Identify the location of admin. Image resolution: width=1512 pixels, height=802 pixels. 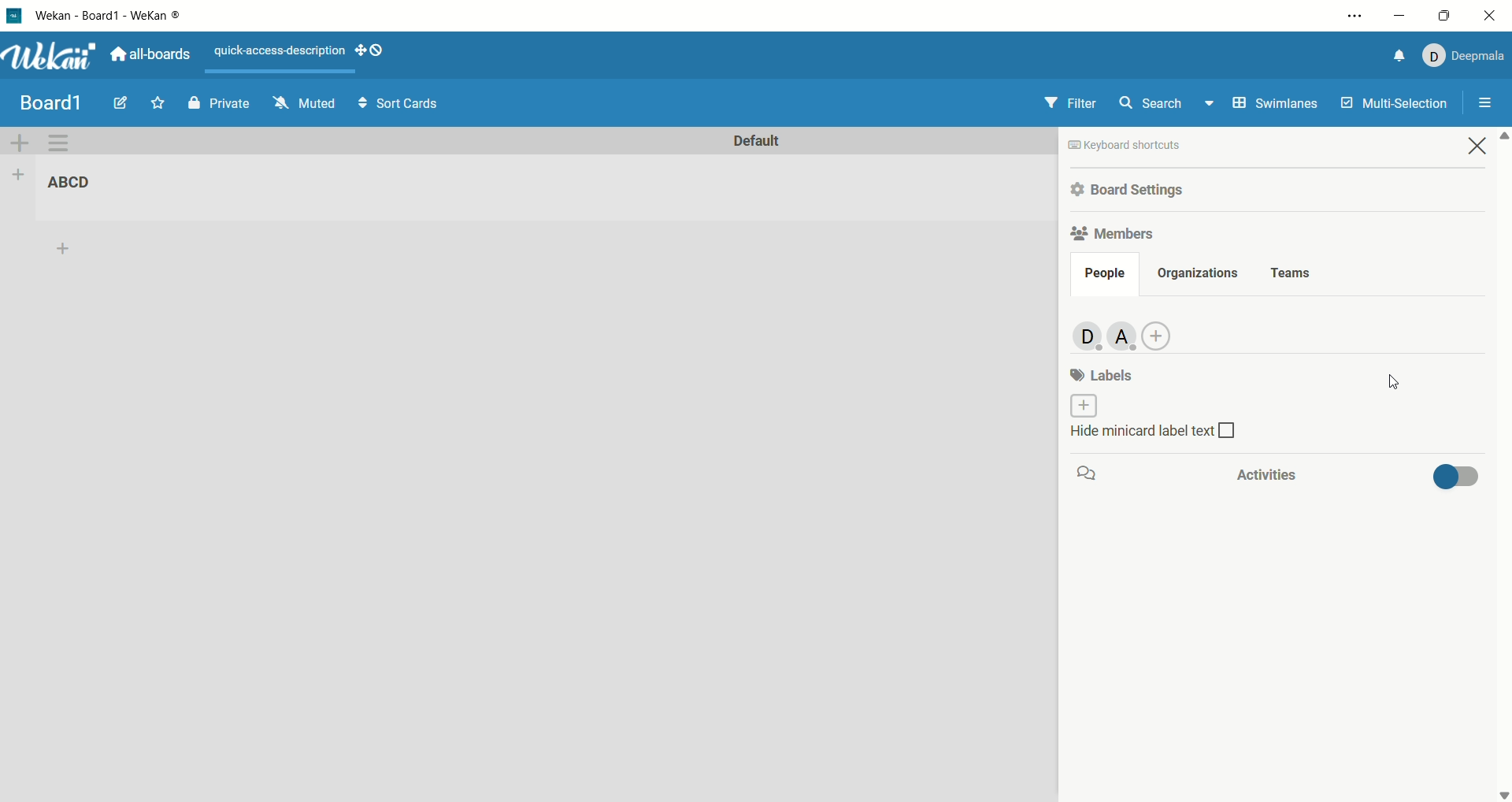
(1084, 337).